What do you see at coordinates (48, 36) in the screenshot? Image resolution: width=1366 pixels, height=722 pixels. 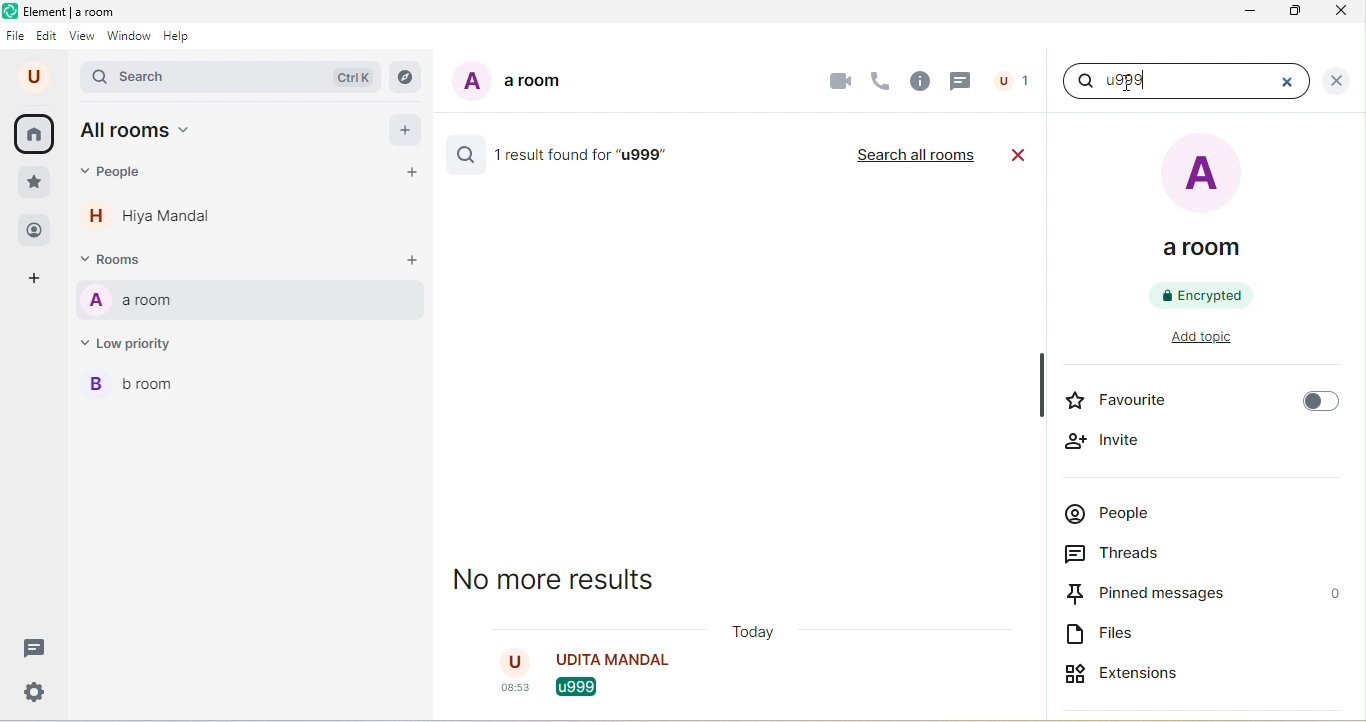 I see `edit` at bounding box center [48, 36].